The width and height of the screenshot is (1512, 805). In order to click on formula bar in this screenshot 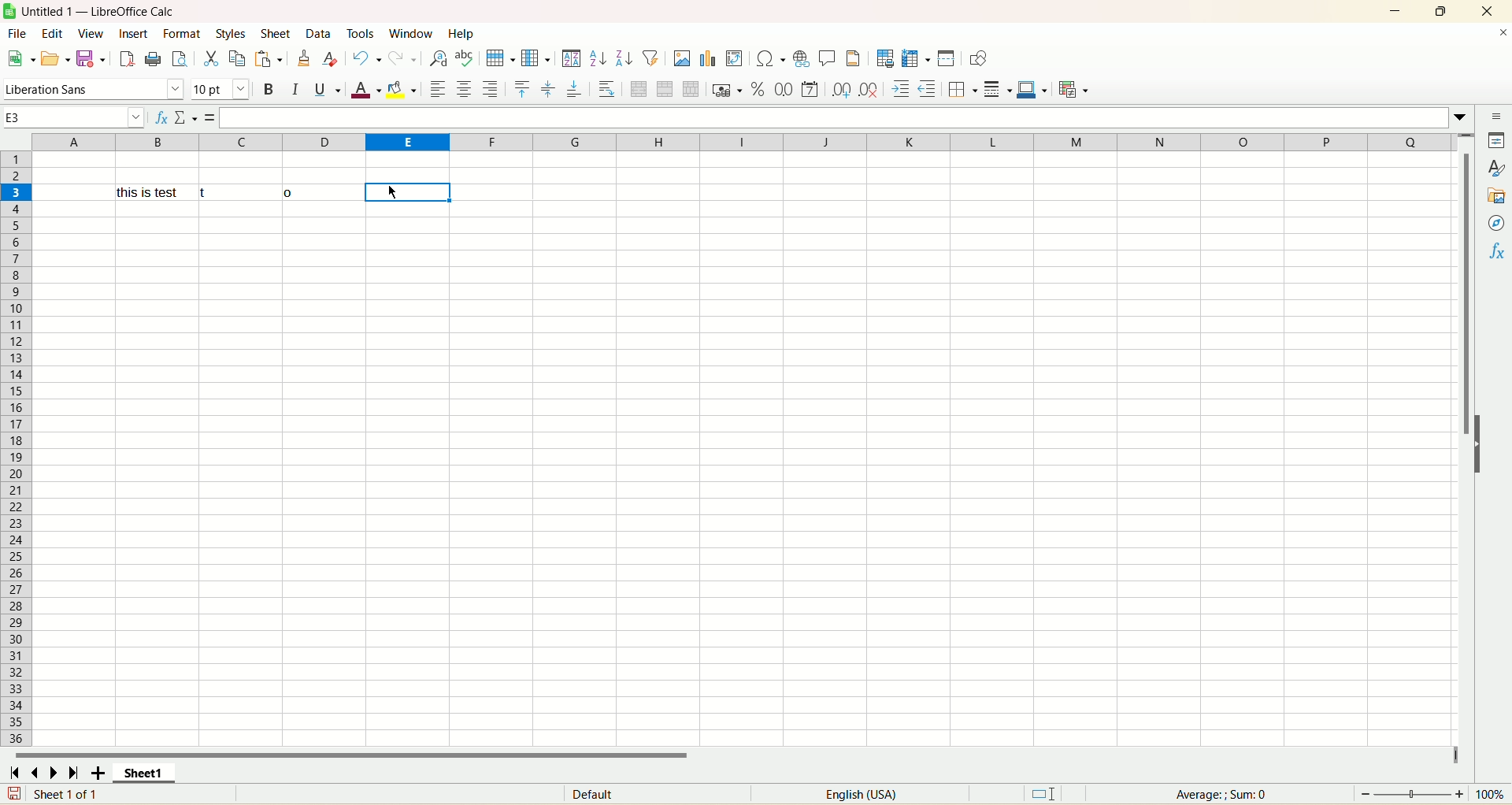, I will do `click(831, 117)`.